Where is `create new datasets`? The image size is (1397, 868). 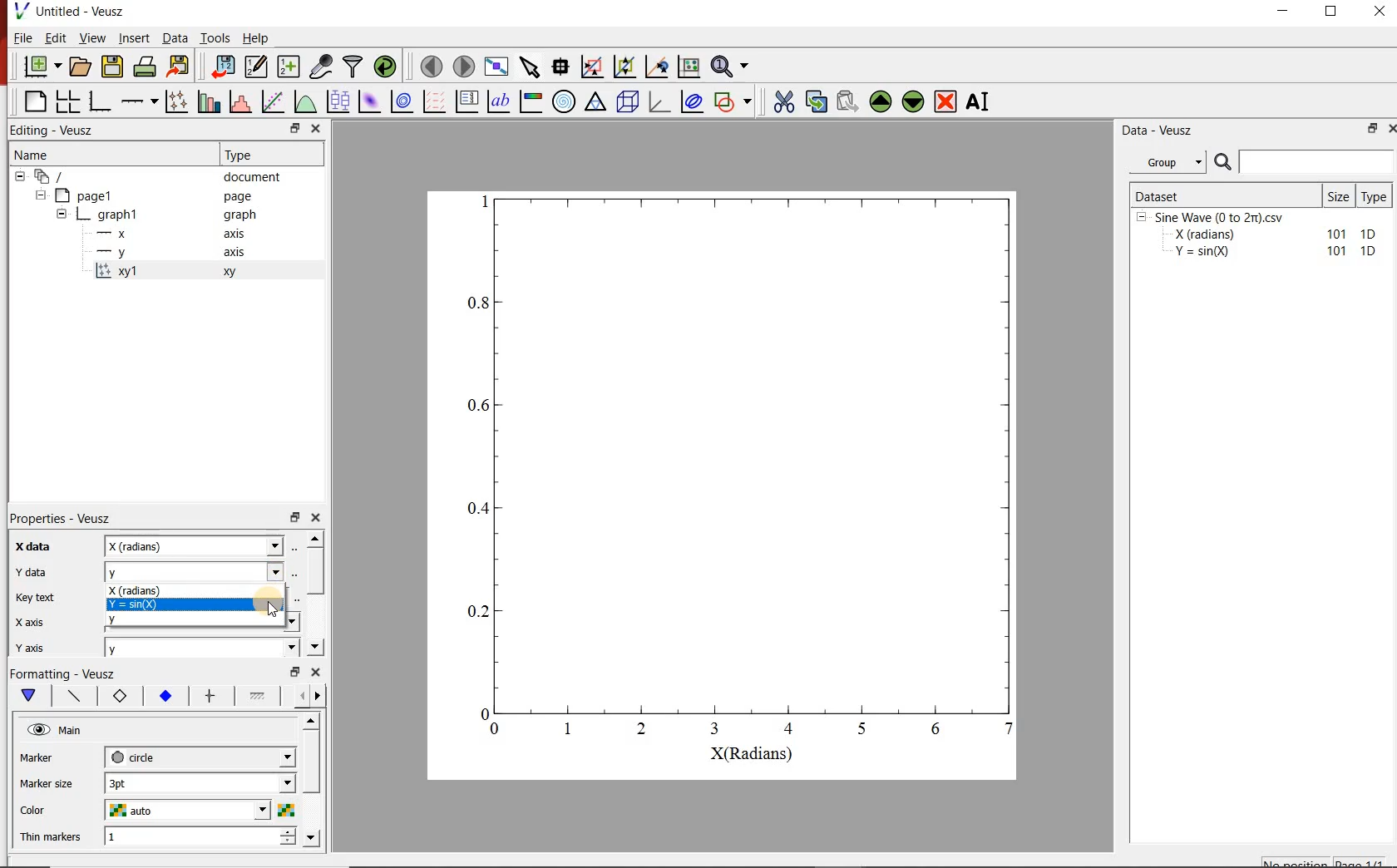
create new datasets is located at coordinates (289, 67).